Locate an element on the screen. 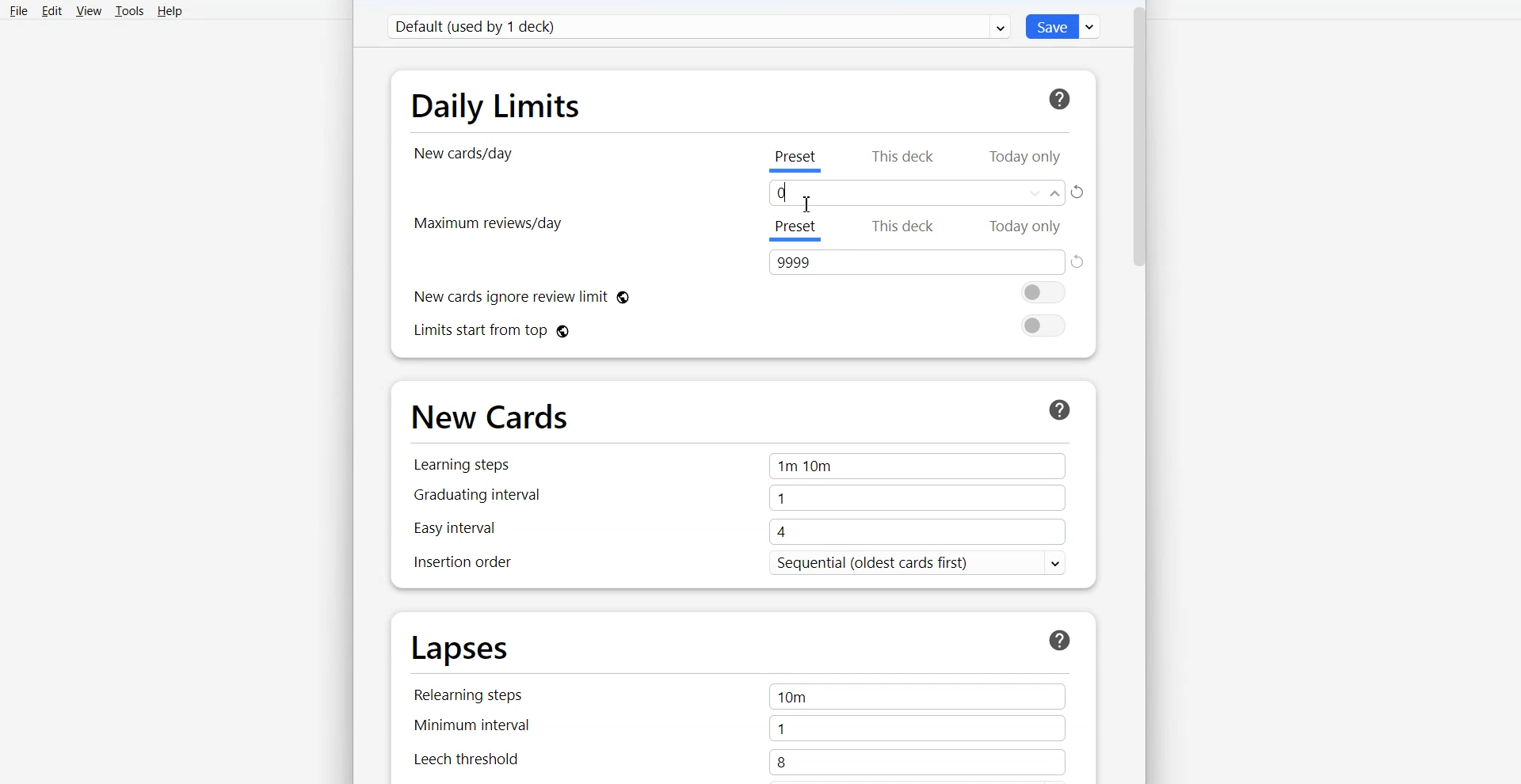 This screenshot has width=1521, height=784. Today only is located at coordinates (1027, 226).